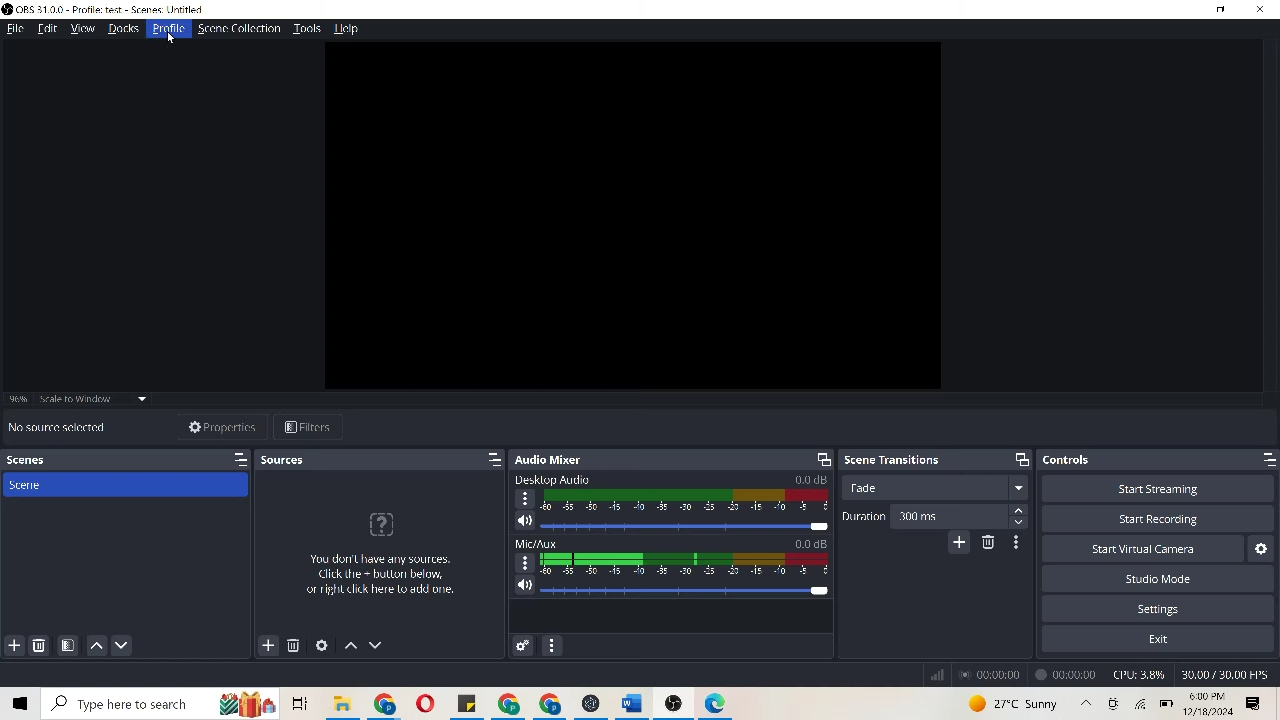 This screenshot has height=720, width=1280. Describe the element at coordinates (19, 395) in the screenshot. I see `96%` at that location.